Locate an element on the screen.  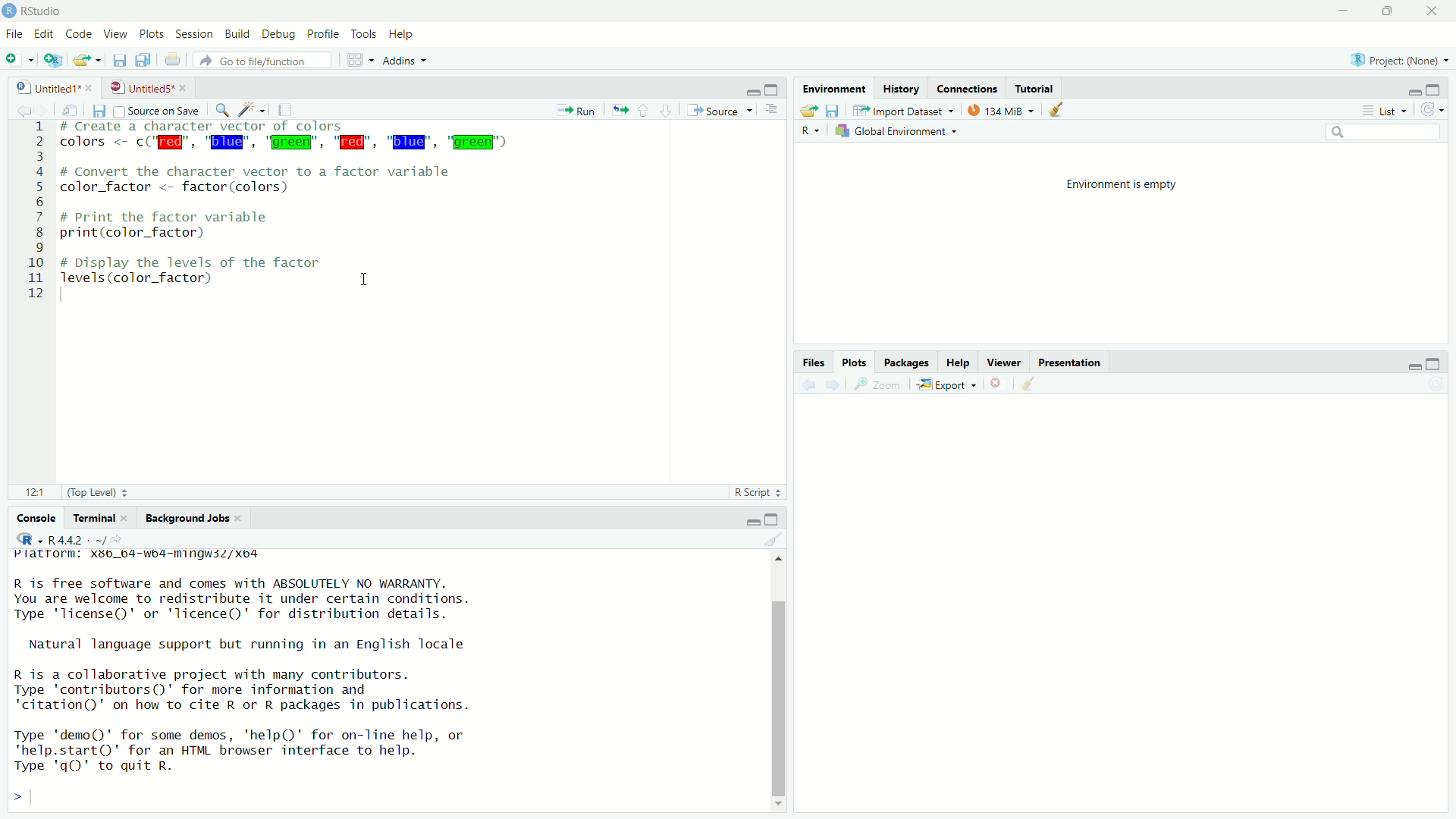
Packages is located at coordinates (905, 362).